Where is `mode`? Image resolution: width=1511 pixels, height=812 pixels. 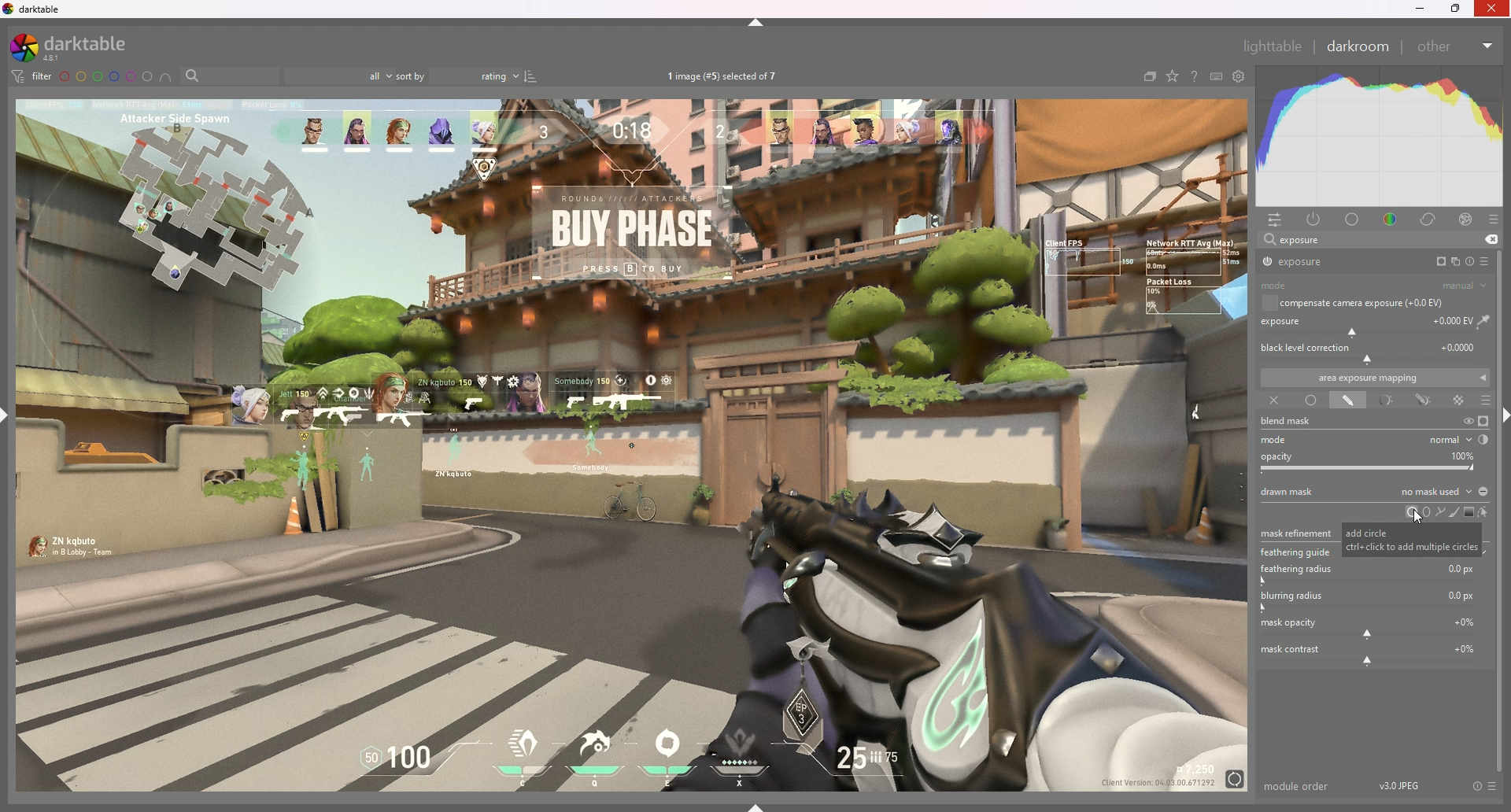 mode is located at coordinates (1378, 439).